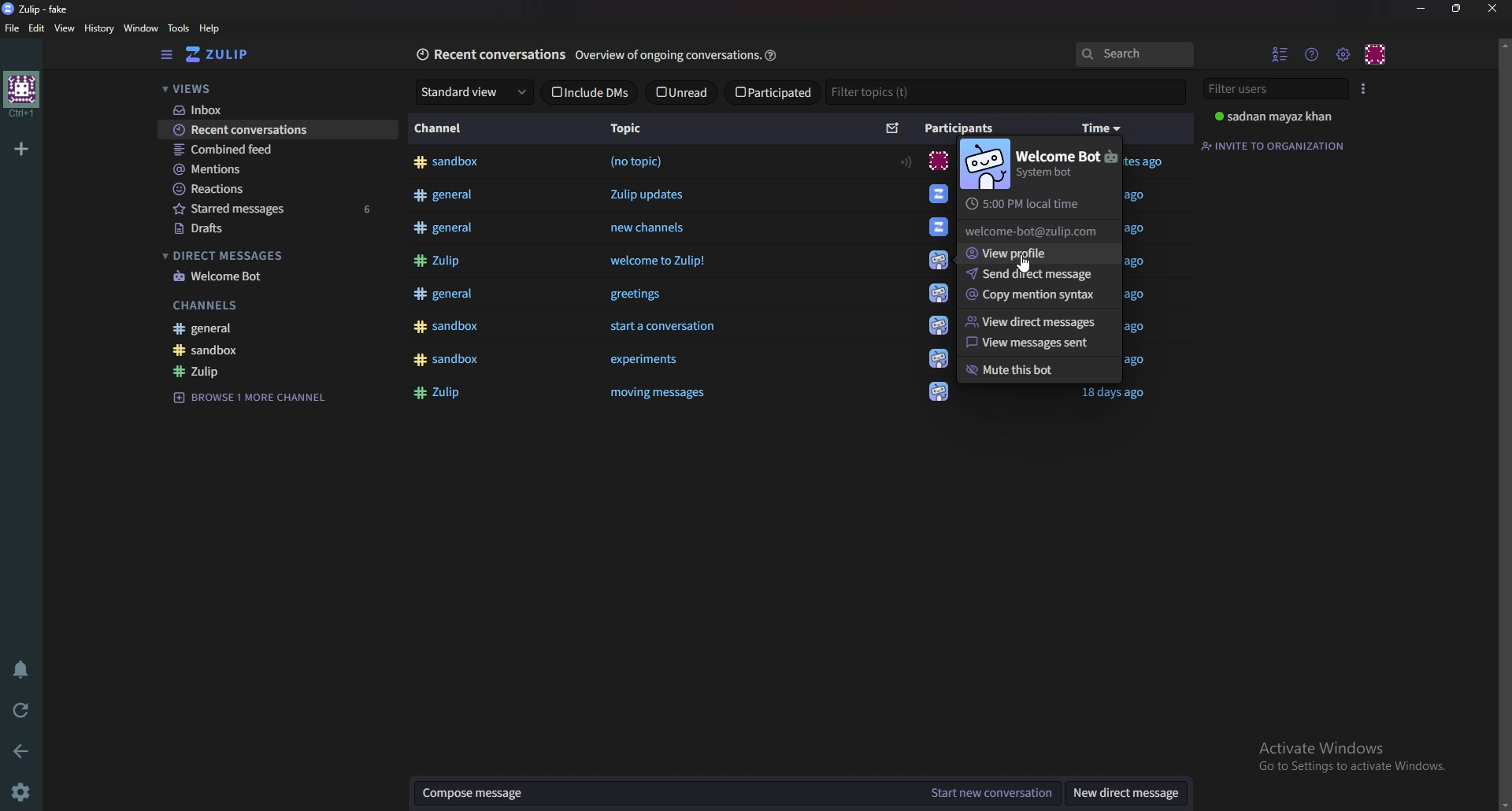  Describe the element at coordinates (1364, 89) in the screenshot. I see `User list style` at that location.